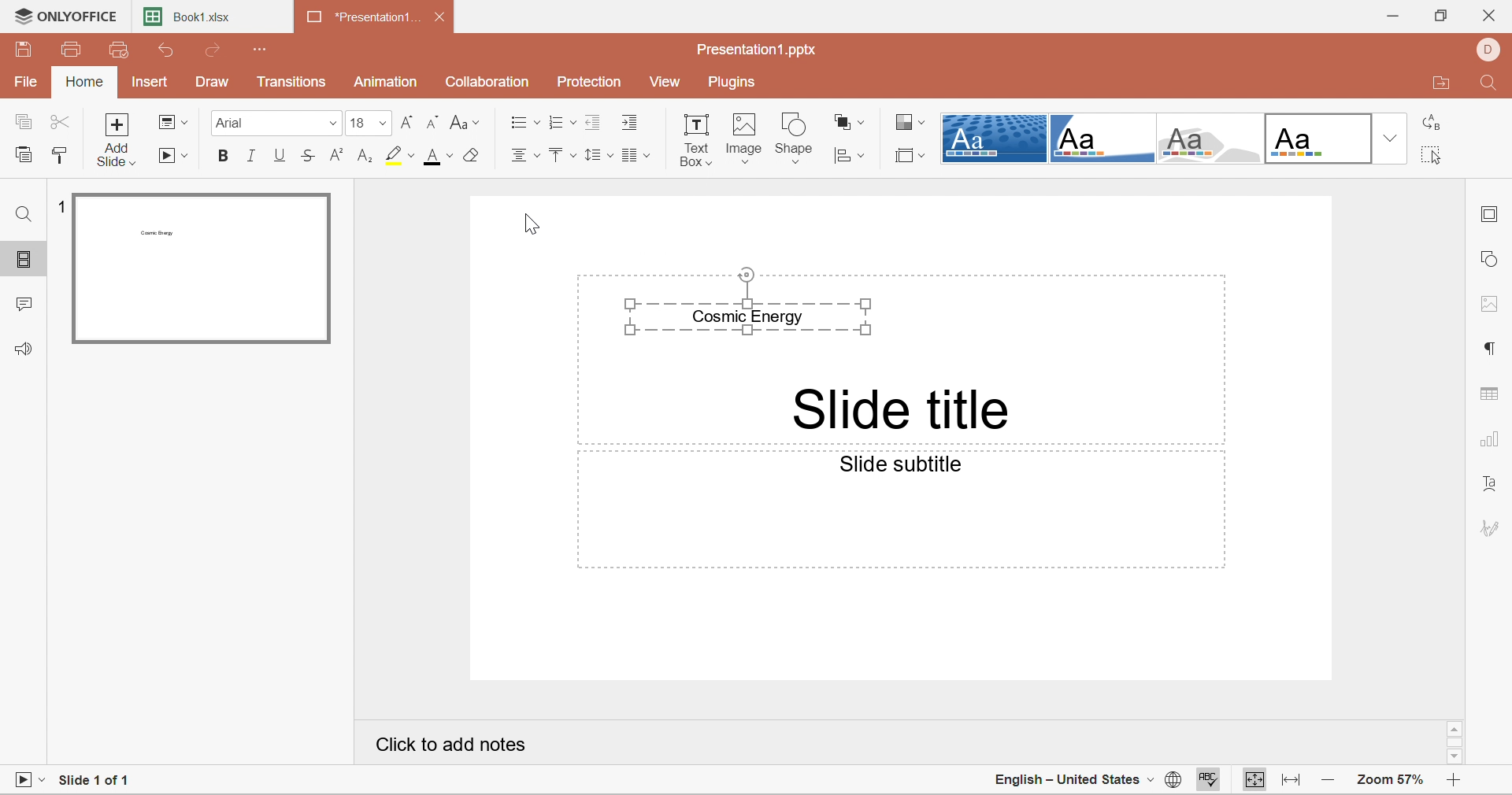 The width and height of the screenshot is (1512, 795). I want to click on Cursor, so click(528, 224).